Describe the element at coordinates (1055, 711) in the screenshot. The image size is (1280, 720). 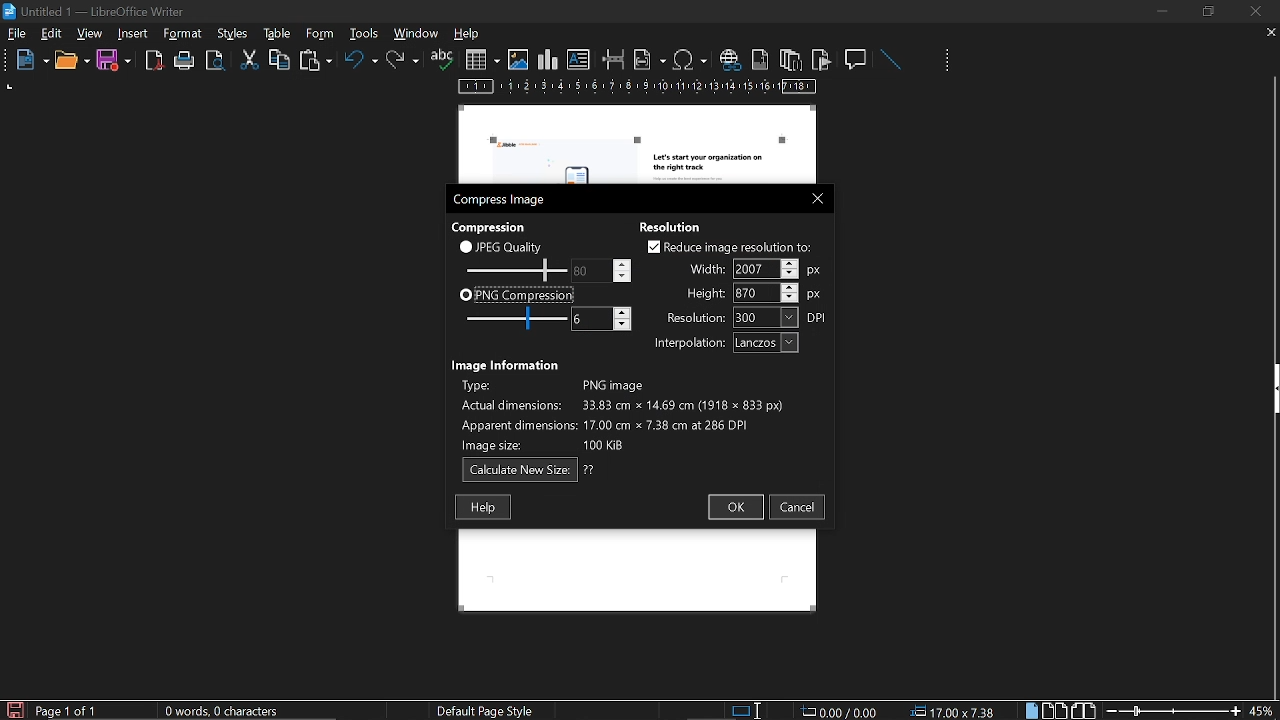
I see `multiple page view` at that location.